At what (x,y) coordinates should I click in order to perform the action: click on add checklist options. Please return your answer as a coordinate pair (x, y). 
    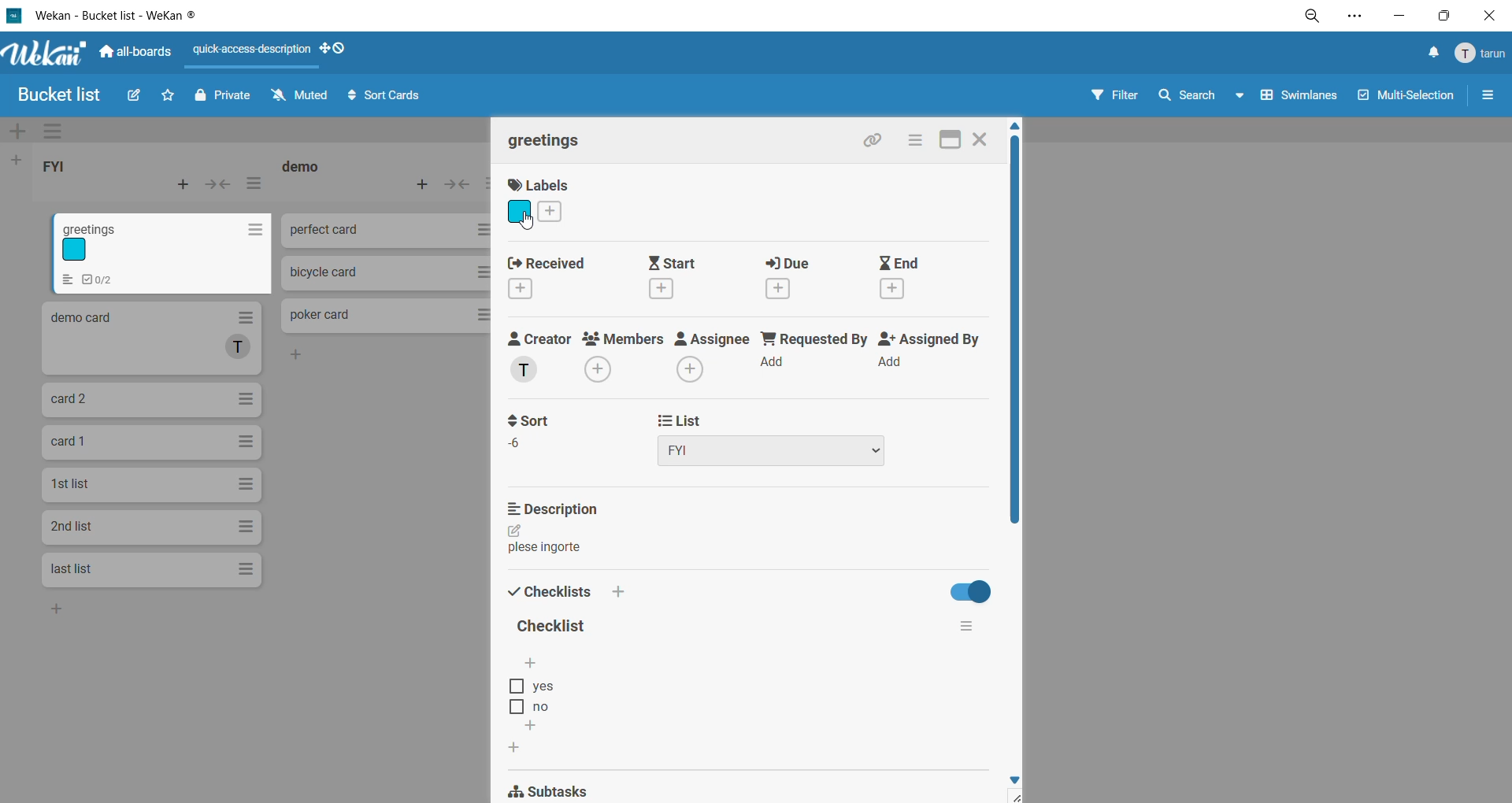
    Looking at the image, I should click on (535, 726).